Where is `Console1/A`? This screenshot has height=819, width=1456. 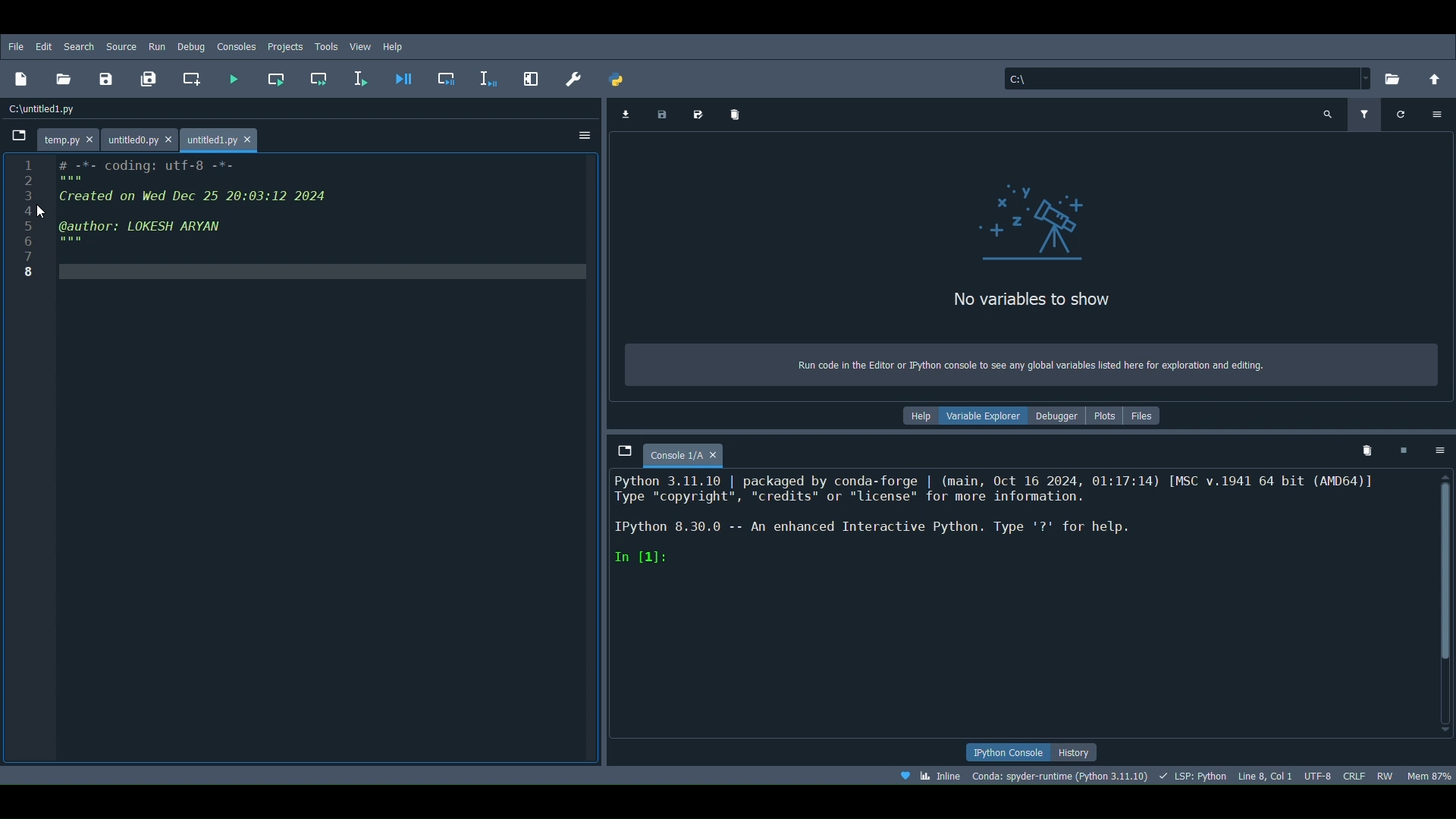
Console1/A is located at coordinates (683, 453).